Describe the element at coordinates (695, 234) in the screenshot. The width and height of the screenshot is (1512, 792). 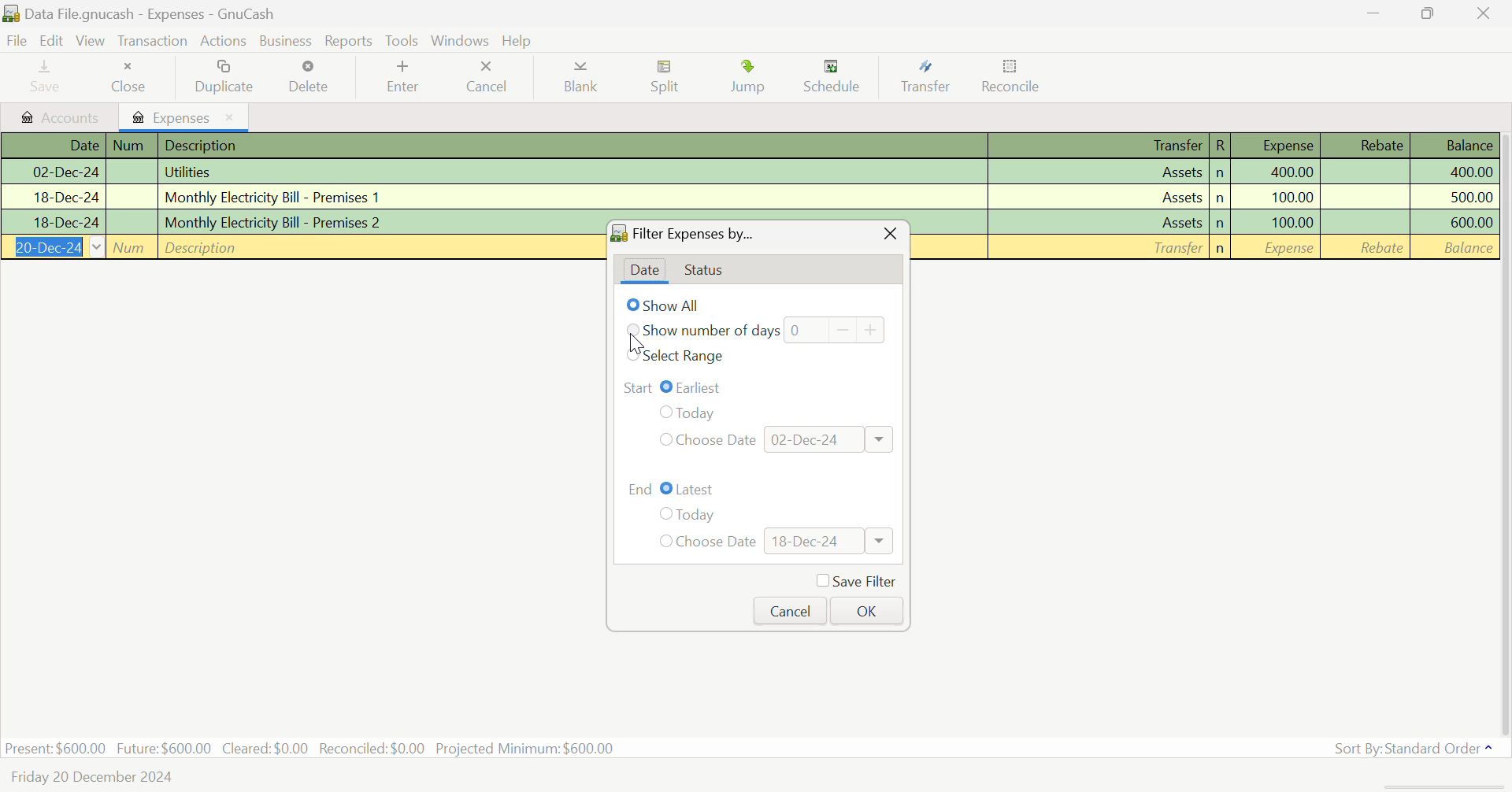
I see `Filter Expenses By` at that location.